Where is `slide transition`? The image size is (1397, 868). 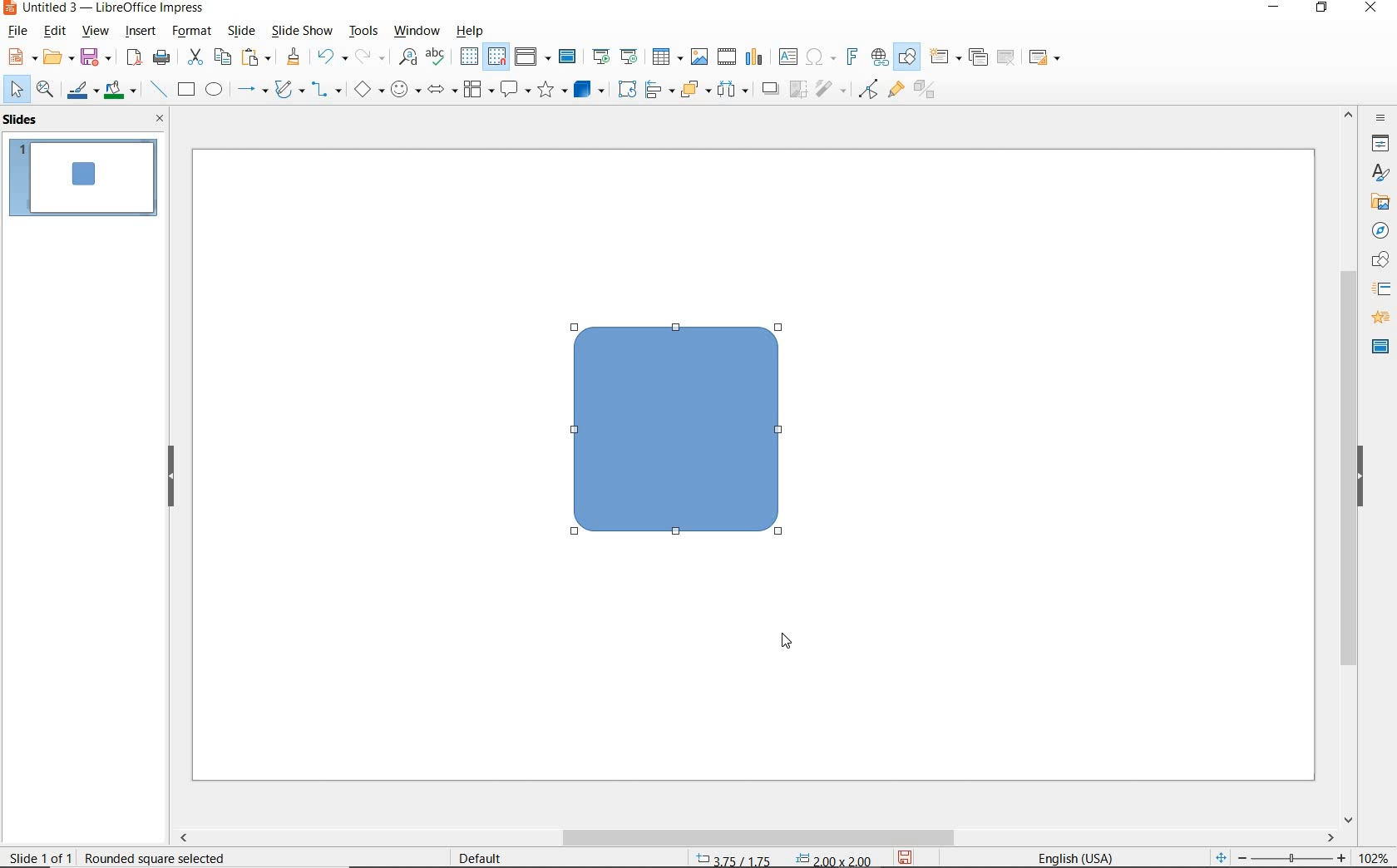 slide transition is located at coordinates (1380, 289).